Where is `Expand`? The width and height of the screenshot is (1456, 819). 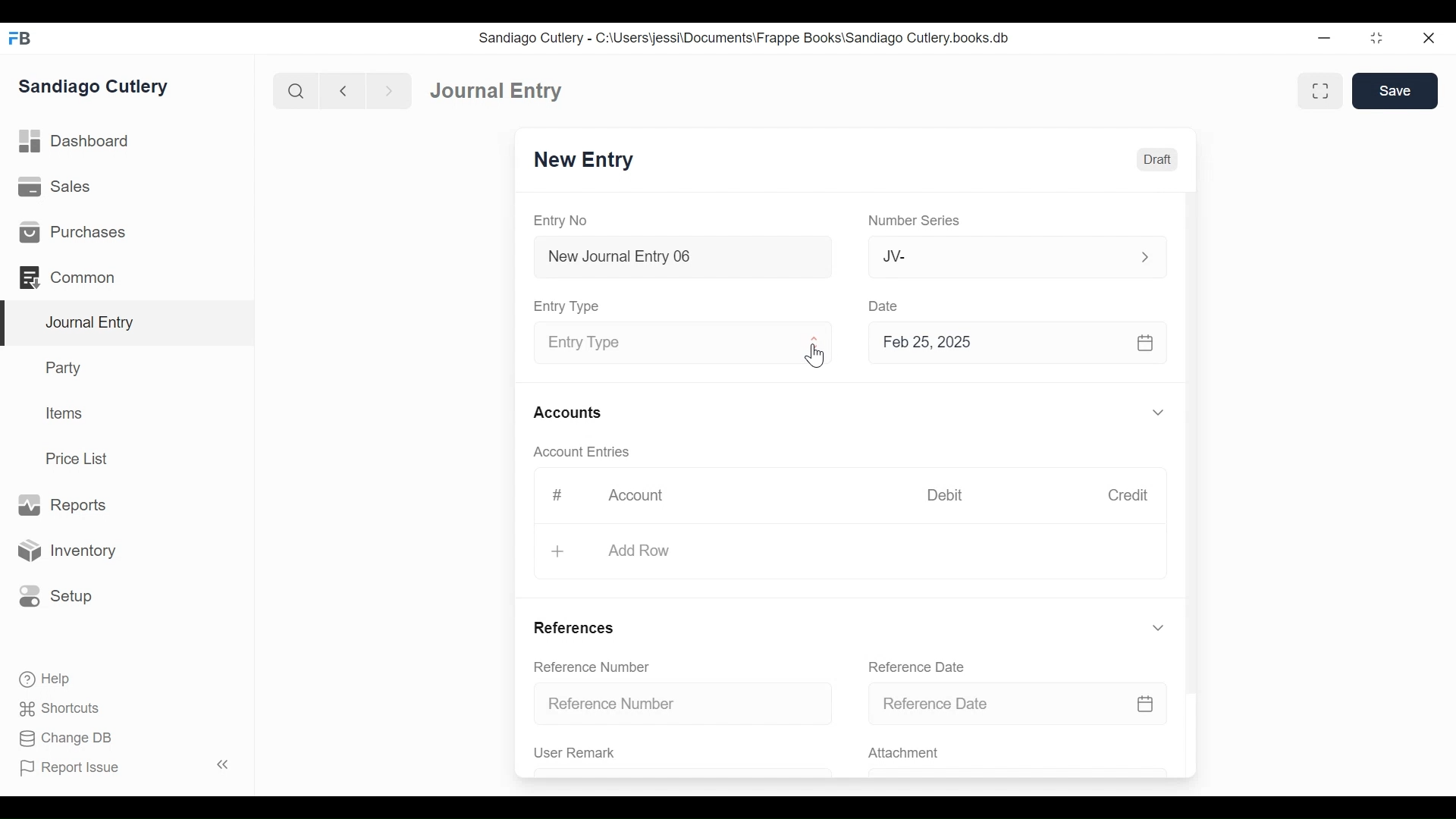
Expand is located at coordinates (1145, 257).